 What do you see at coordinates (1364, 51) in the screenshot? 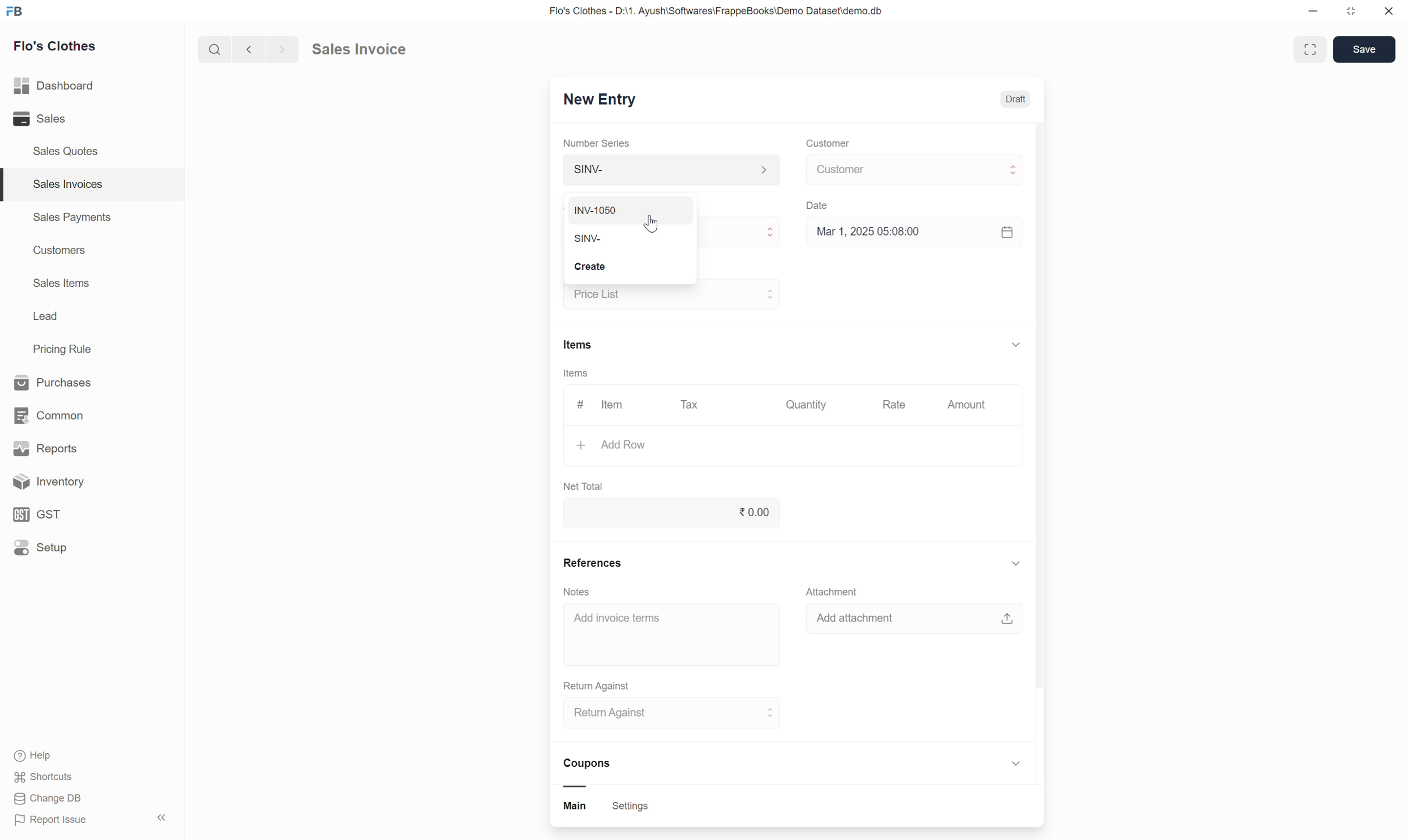
I see `save` at bounding box center [1364, 51].